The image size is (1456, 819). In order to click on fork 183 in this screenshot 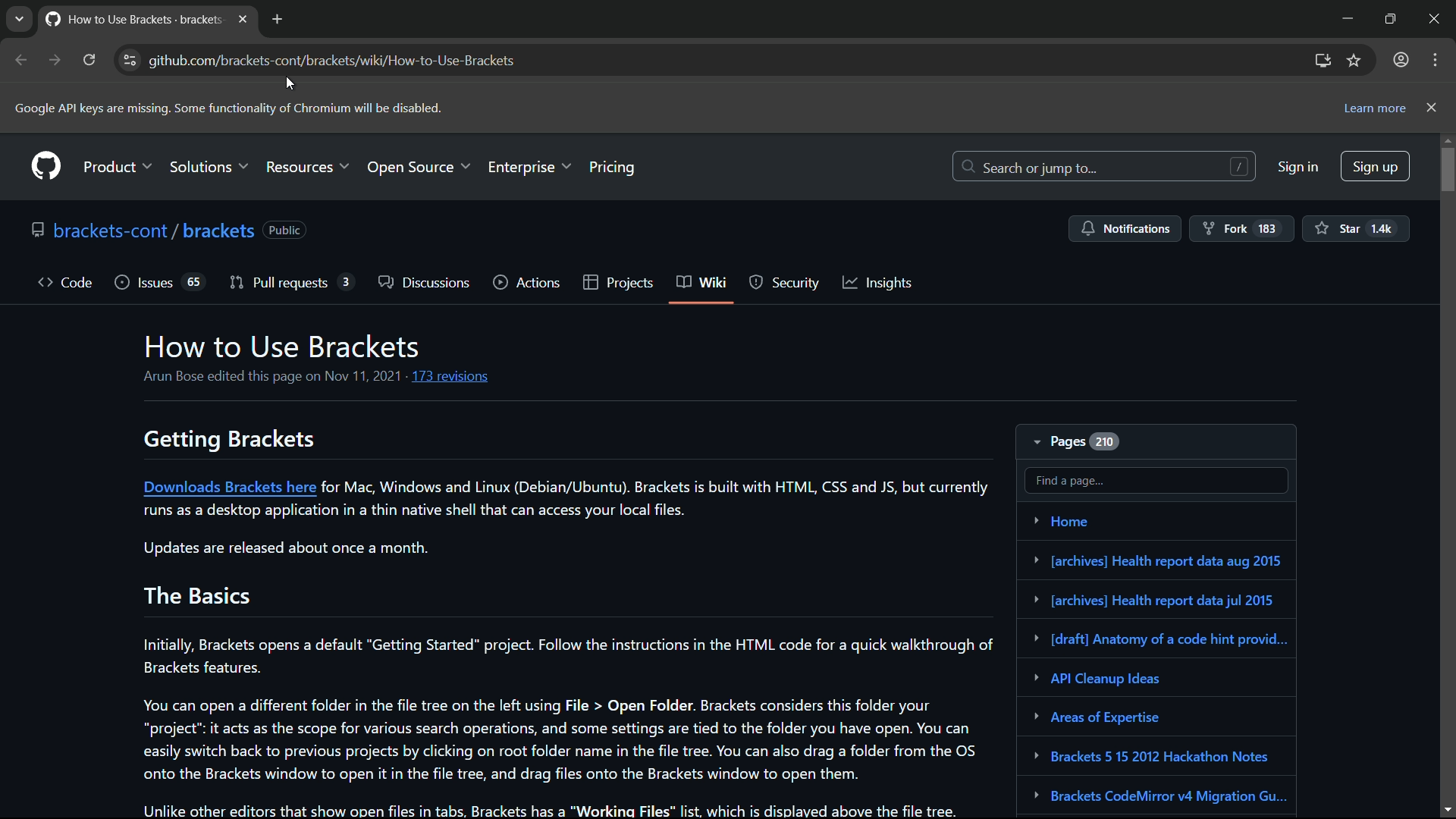, I will do `click(1241, 229)`.